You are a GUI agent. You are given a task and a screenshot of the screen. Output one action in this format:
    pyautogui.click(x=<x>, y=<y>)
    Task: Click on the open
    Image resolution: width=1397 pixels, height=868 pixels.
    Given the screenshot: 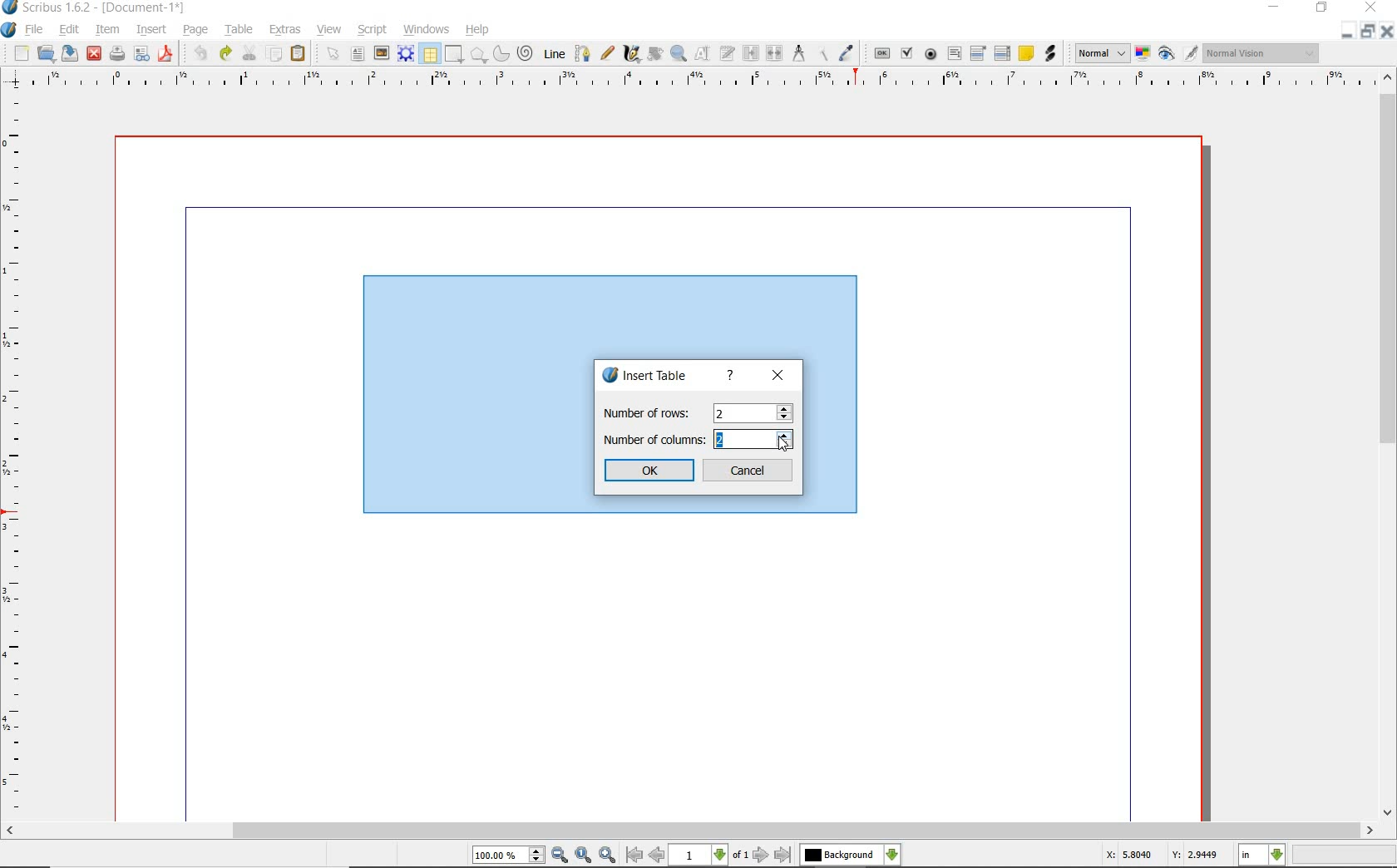 What is the action you would take?
    pyautogui.click(x=47, y=54)
    